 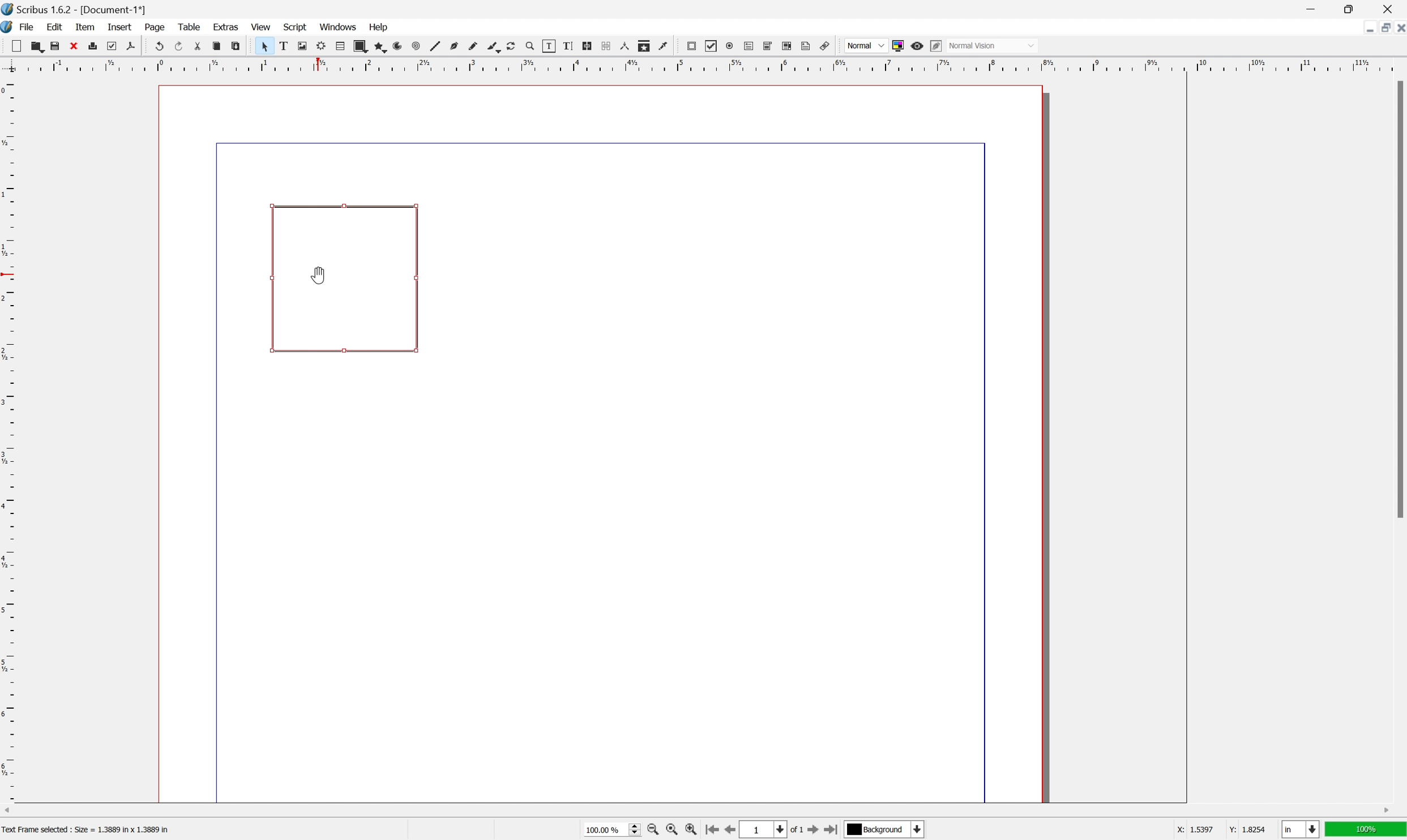 What do you see at coordinates (696, 811) in the screenshot?
I see `scroll bar` at bounding box center [696, 811].